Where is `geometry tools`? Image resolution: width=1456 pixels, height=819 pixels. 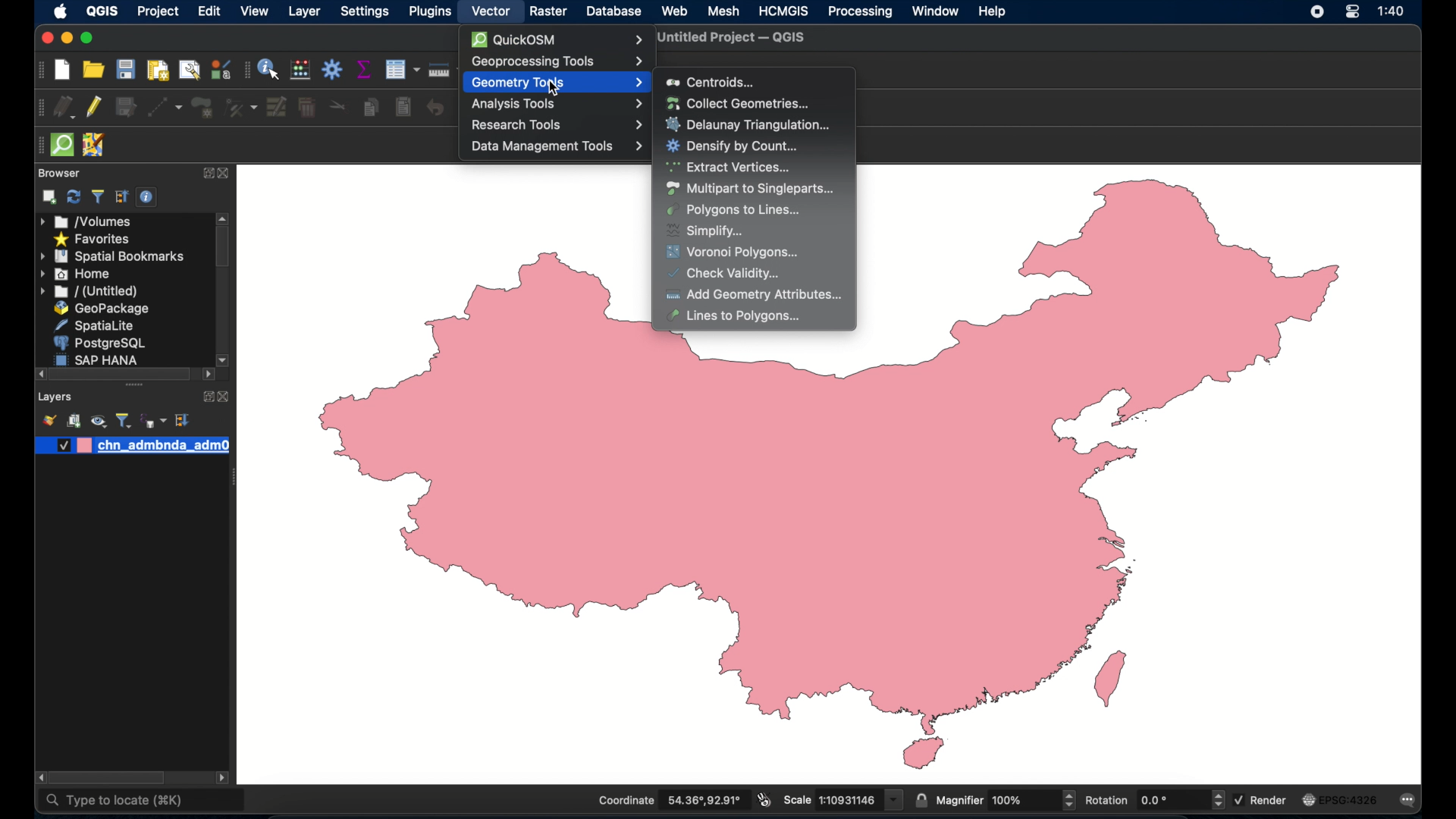 geometry tools is located at coordinates (557, 82).